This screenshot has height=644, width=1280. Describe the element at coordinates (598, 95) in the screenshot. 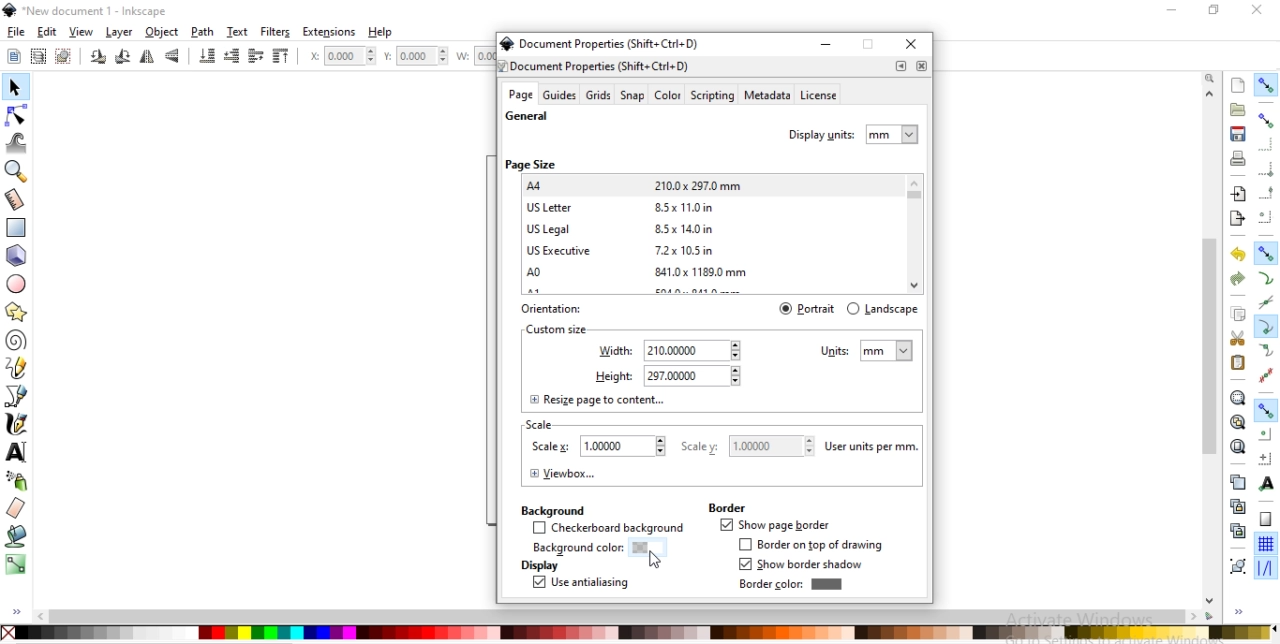

I see `grids` at that location.